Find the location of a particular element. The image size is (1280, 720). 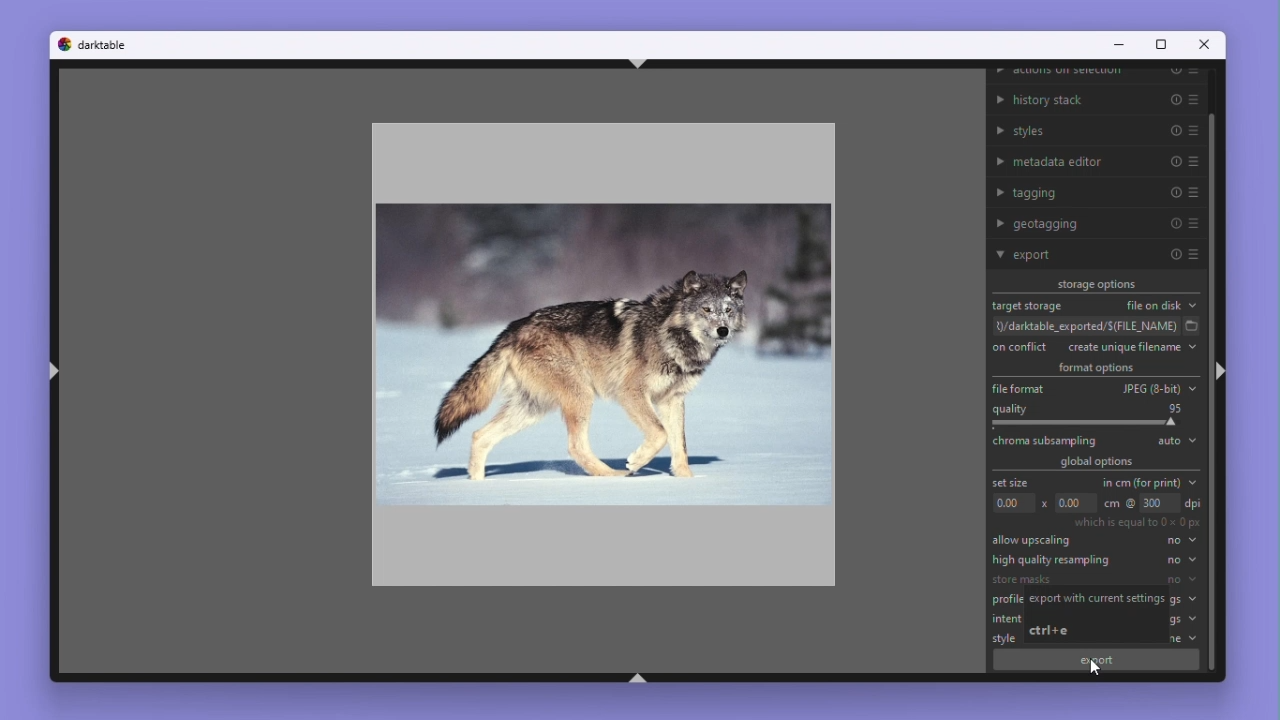

Styles is located at coordinates (1099, 131).